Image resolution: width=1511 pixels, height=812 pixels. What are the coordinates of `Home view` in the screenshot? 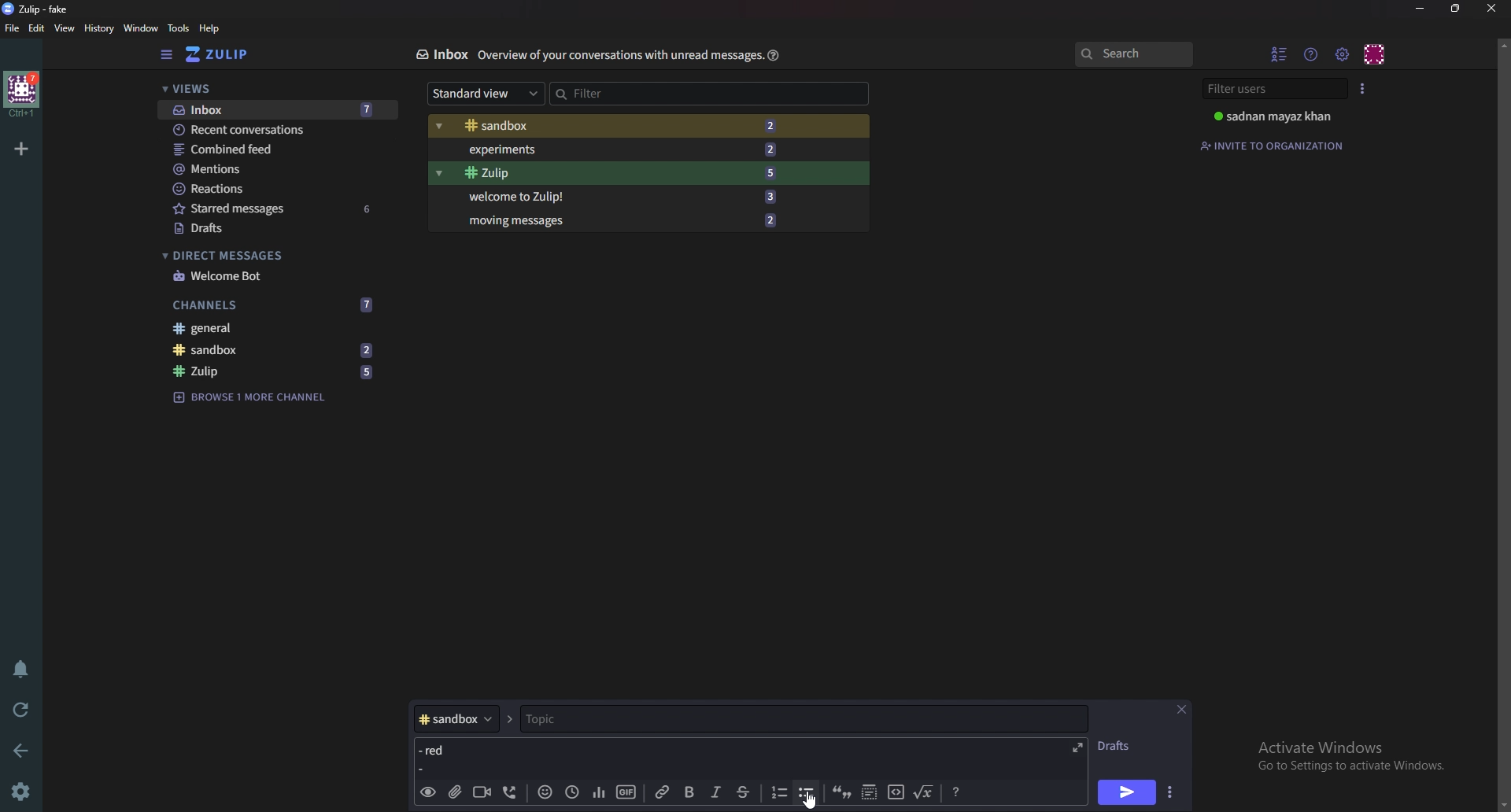 It's located at (228, 54).